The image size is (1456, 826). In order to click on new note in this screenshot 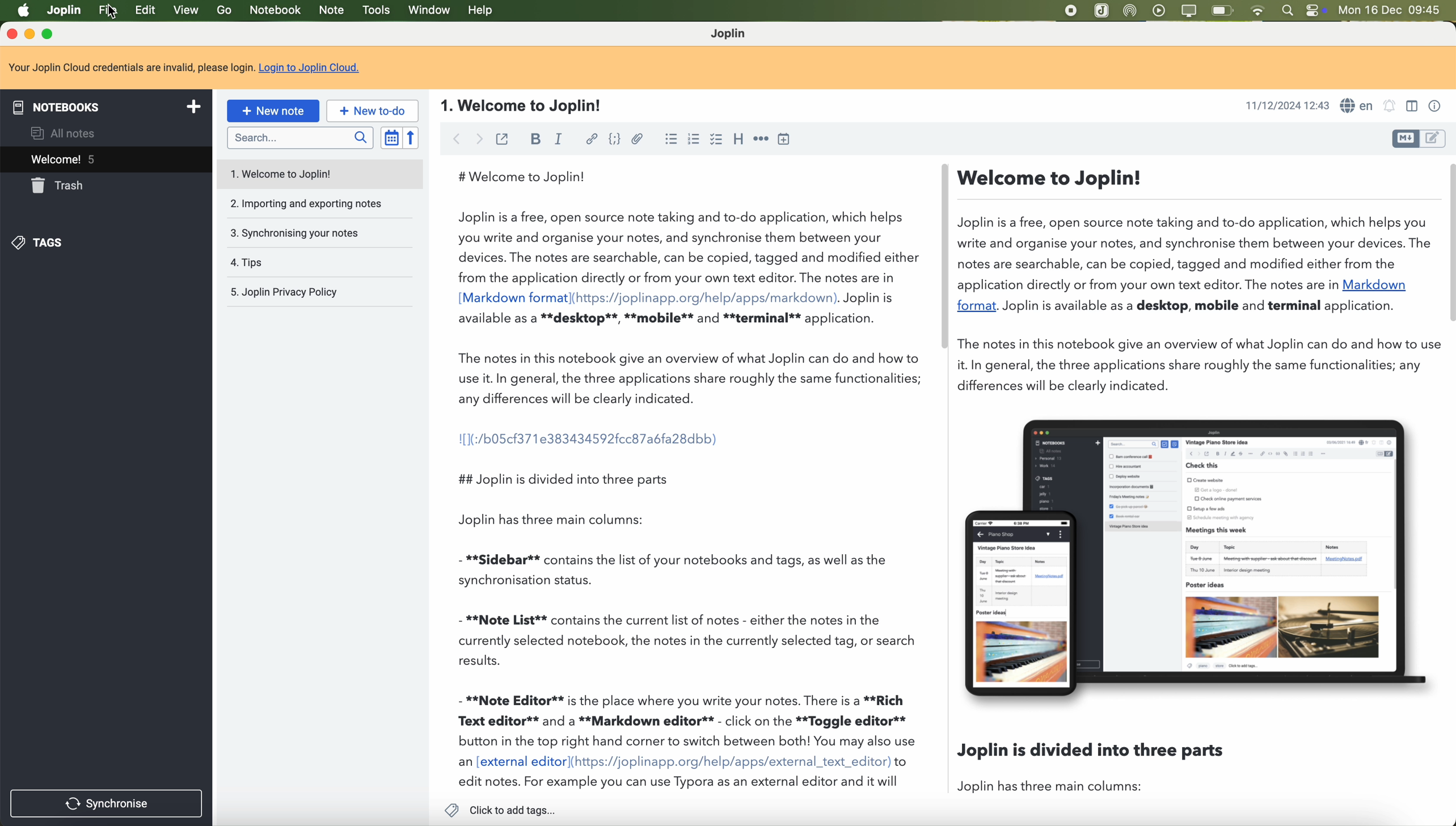, I will do `click(273, 112)`.